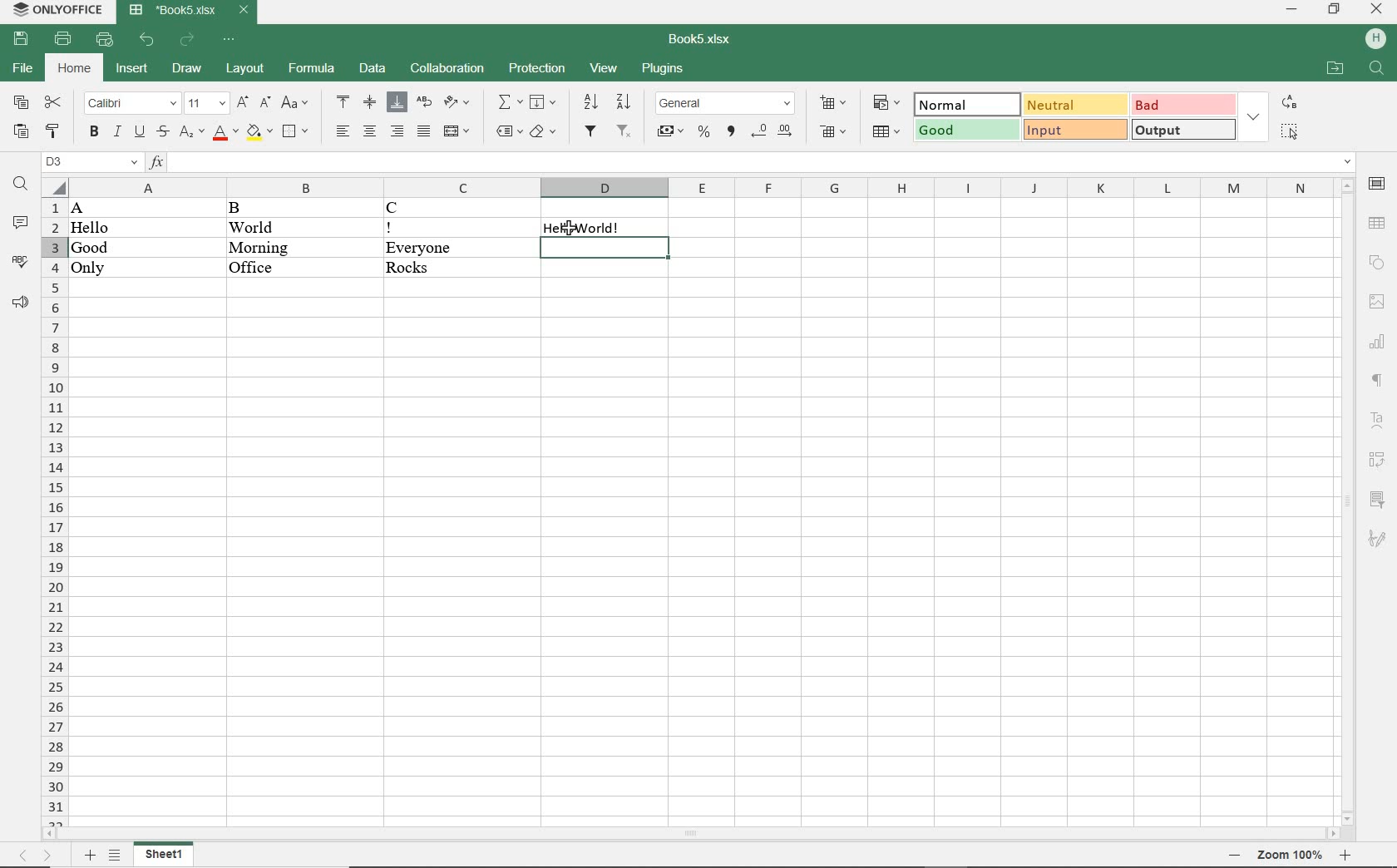 The width and height of the screenshot is (1397, 868). What do you see at coordinates (1377, 9) in the screenshot?
I see `CLOSE` at bounding box center [1377, 9].